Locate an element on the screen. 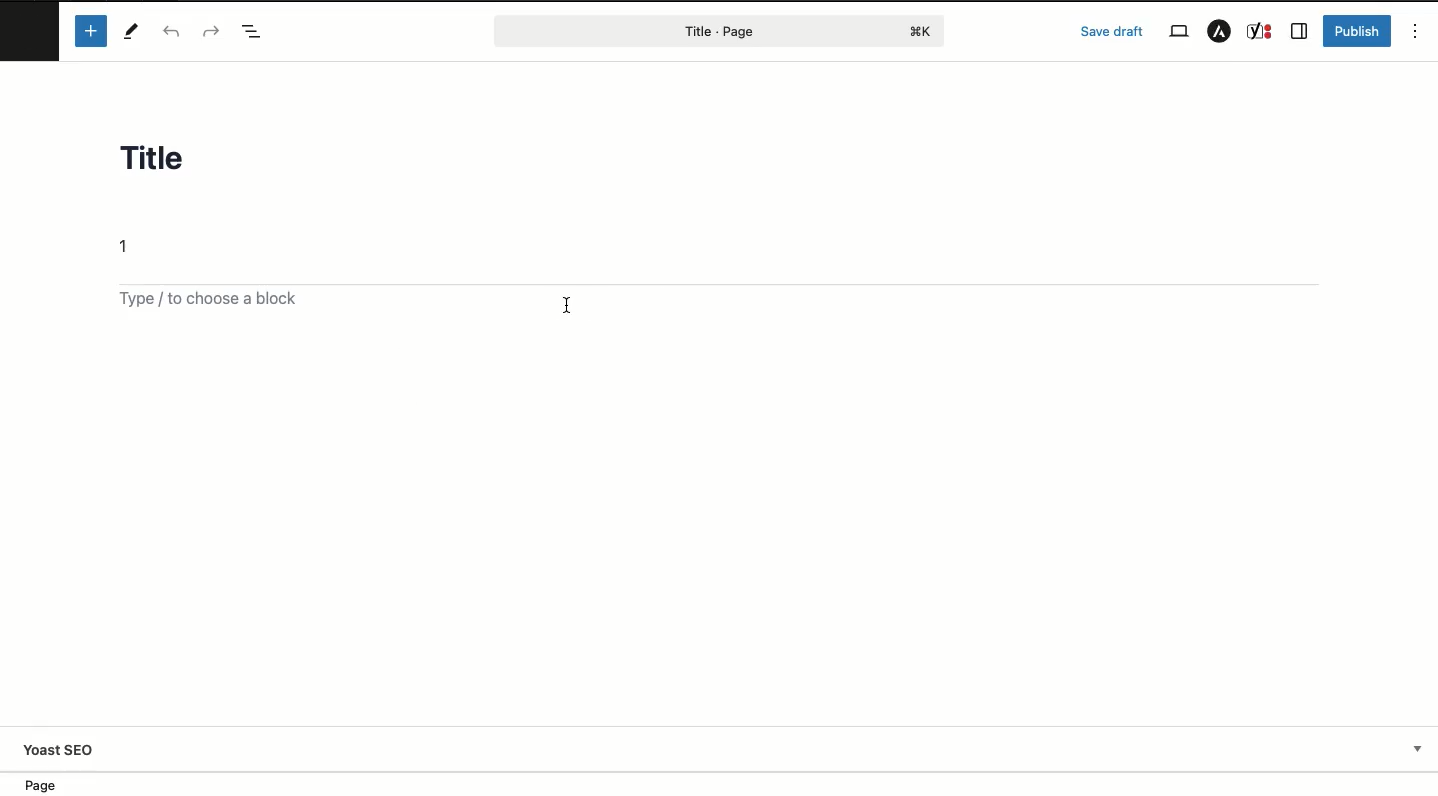 This screenshot has width=1438, height=796. Location is located at coordinates (110, 783).